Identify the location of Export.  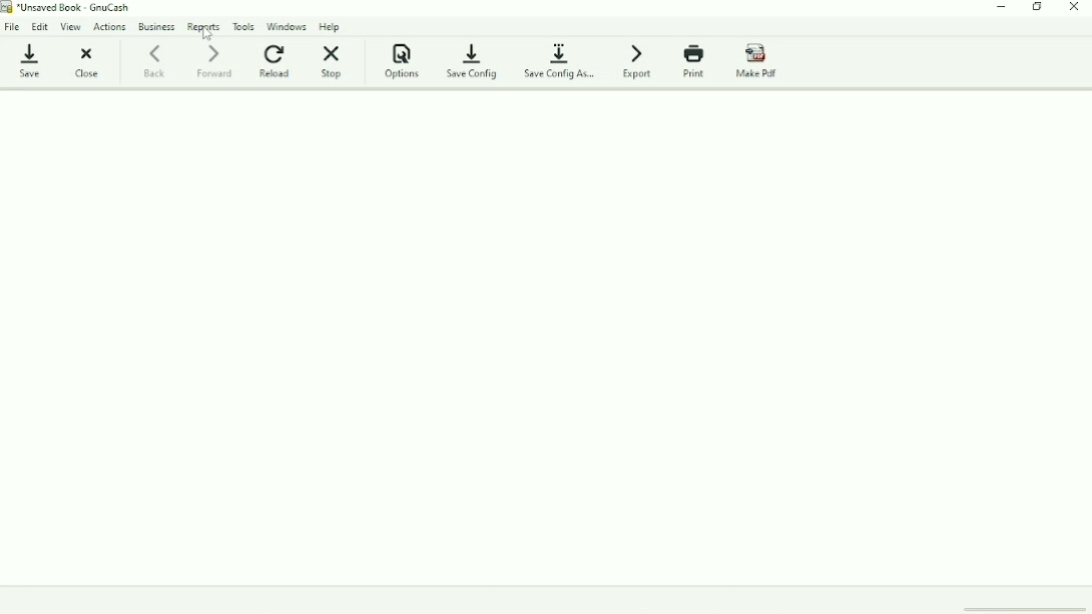
(640, 60).